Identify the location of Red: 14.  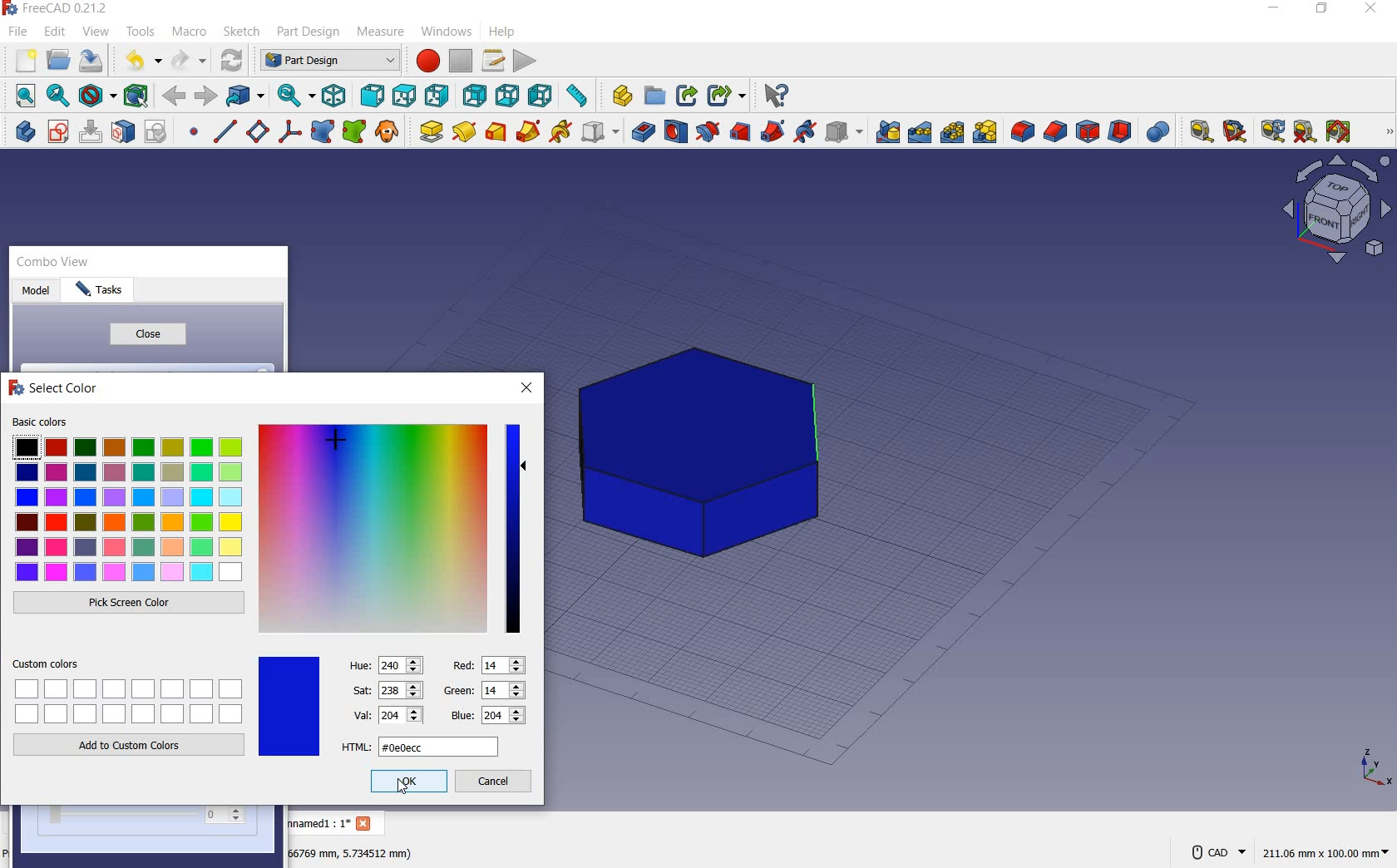
(487, 664).